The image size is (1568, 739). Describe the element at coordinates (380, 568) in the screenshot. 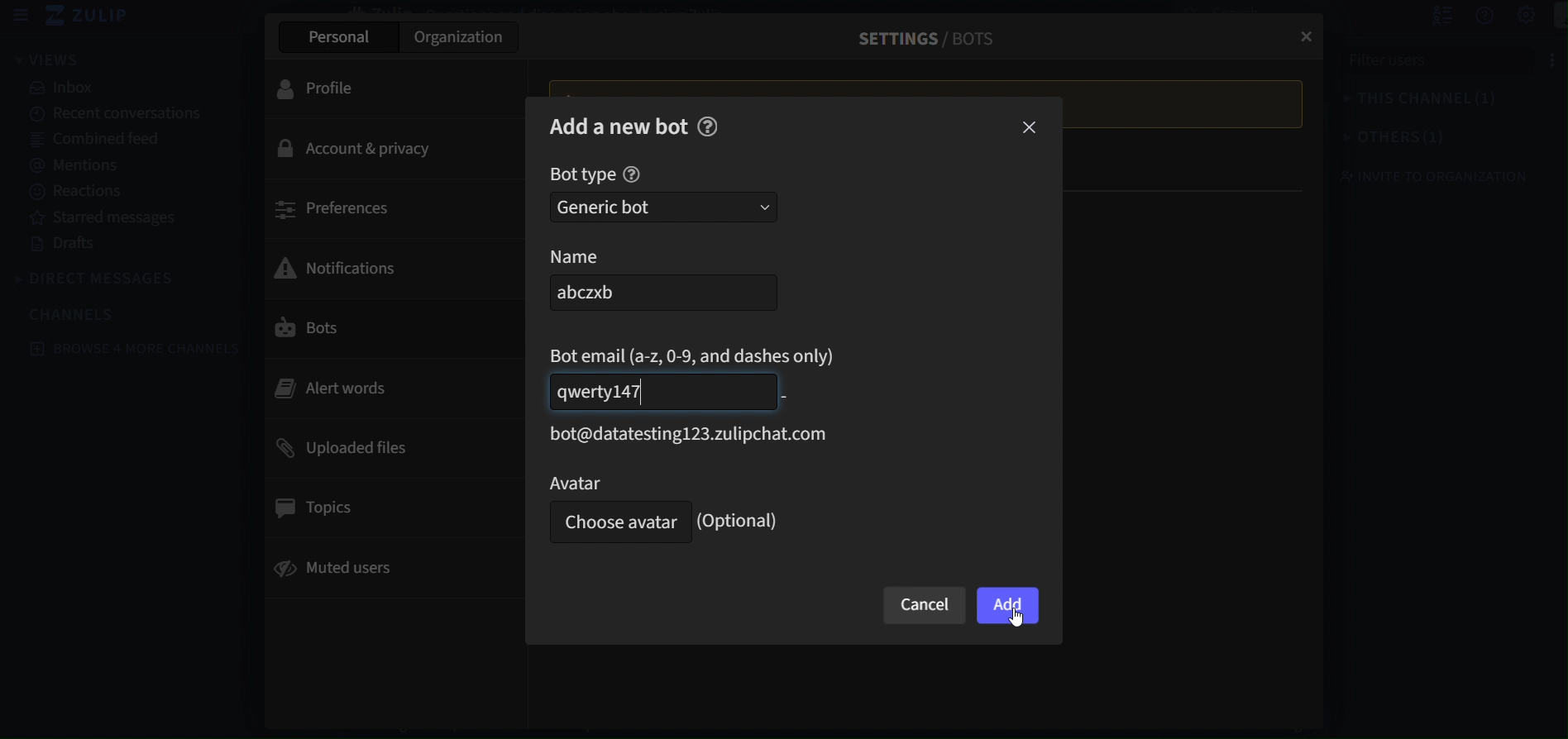

I see `muted users` at that location.